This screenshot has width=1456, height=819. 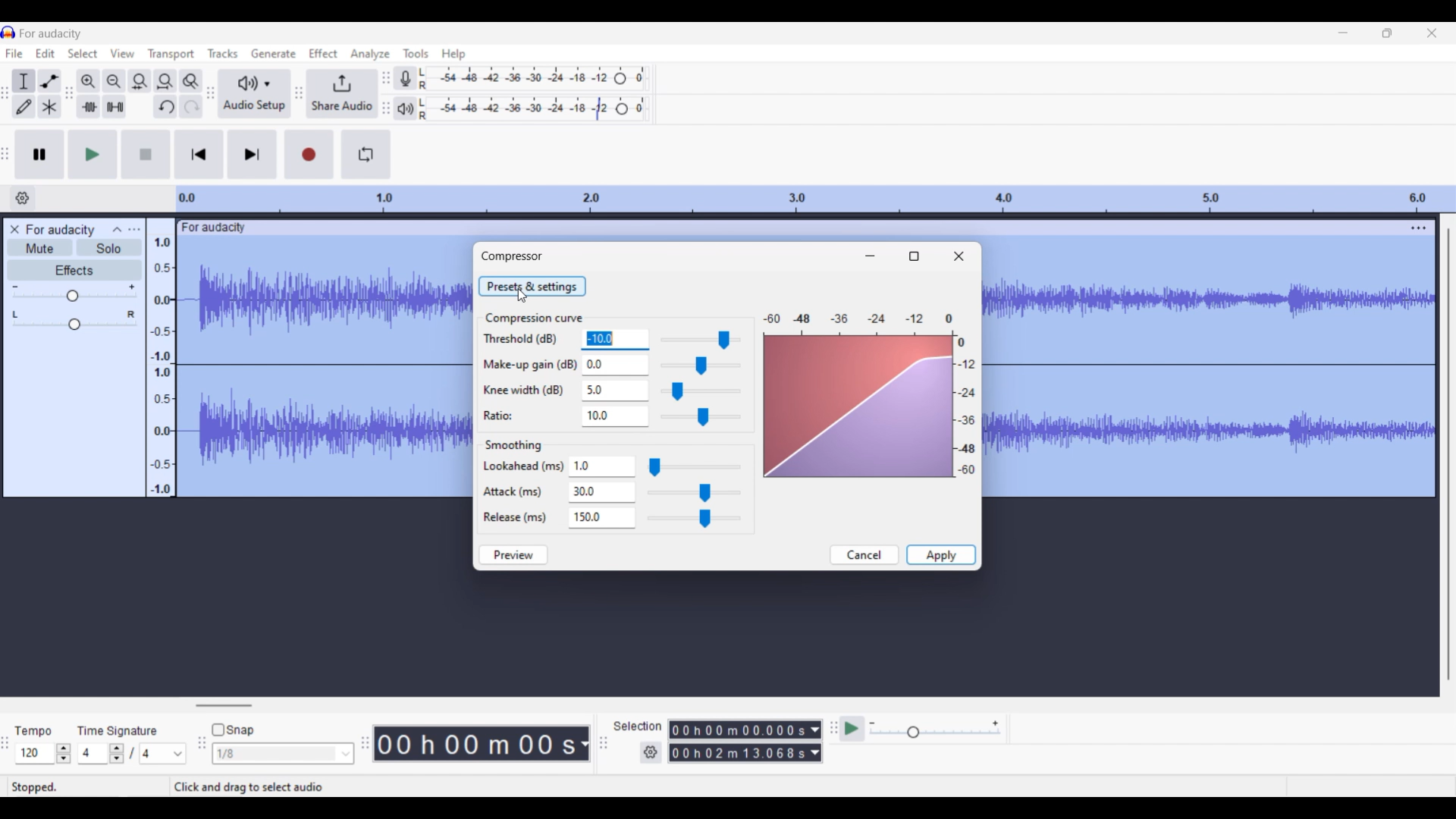 I want to click on Draw tool, so click(x=24, y=107).